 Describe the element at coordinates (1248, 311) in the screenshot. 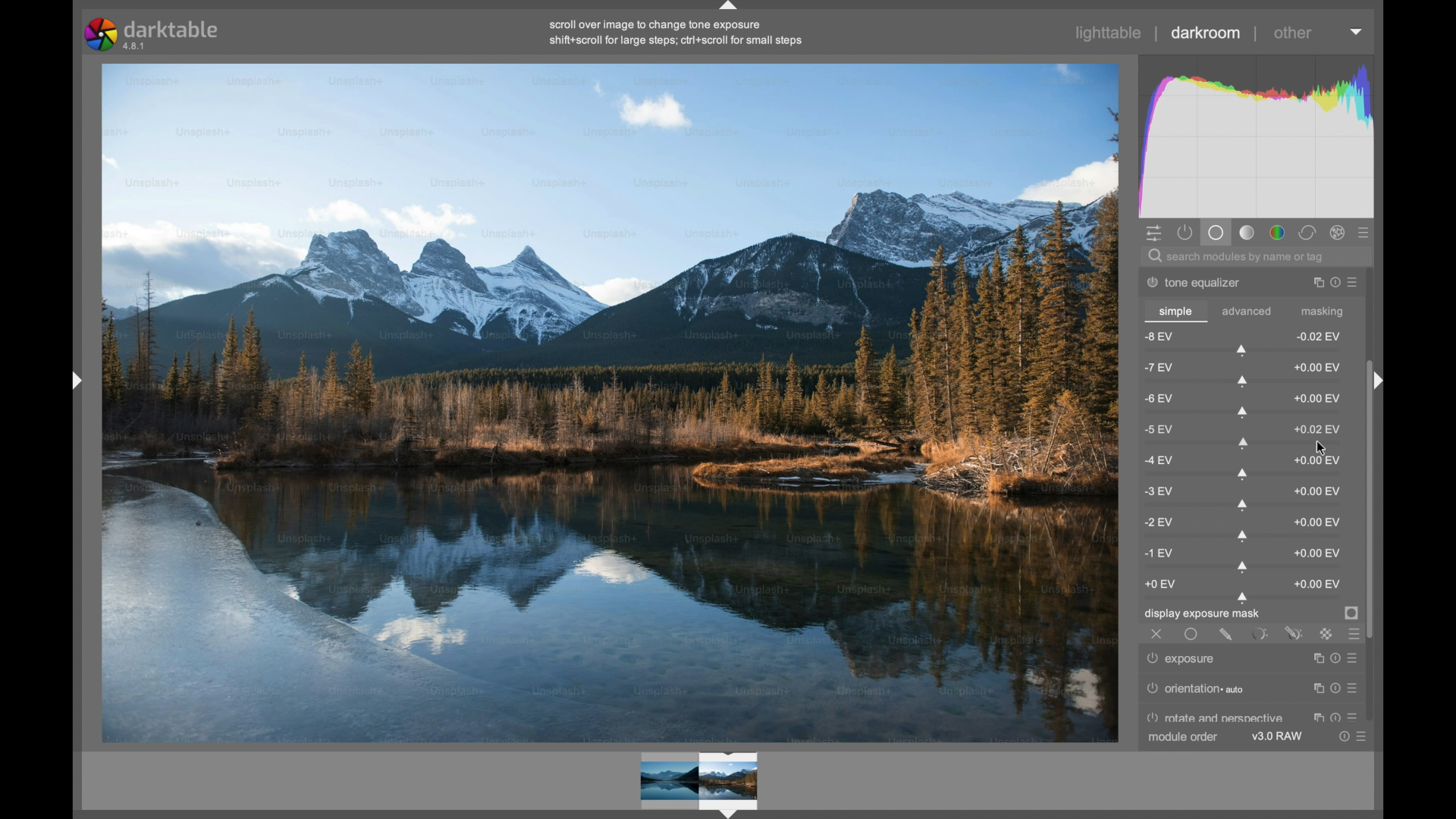

I see `advanced` at that location.